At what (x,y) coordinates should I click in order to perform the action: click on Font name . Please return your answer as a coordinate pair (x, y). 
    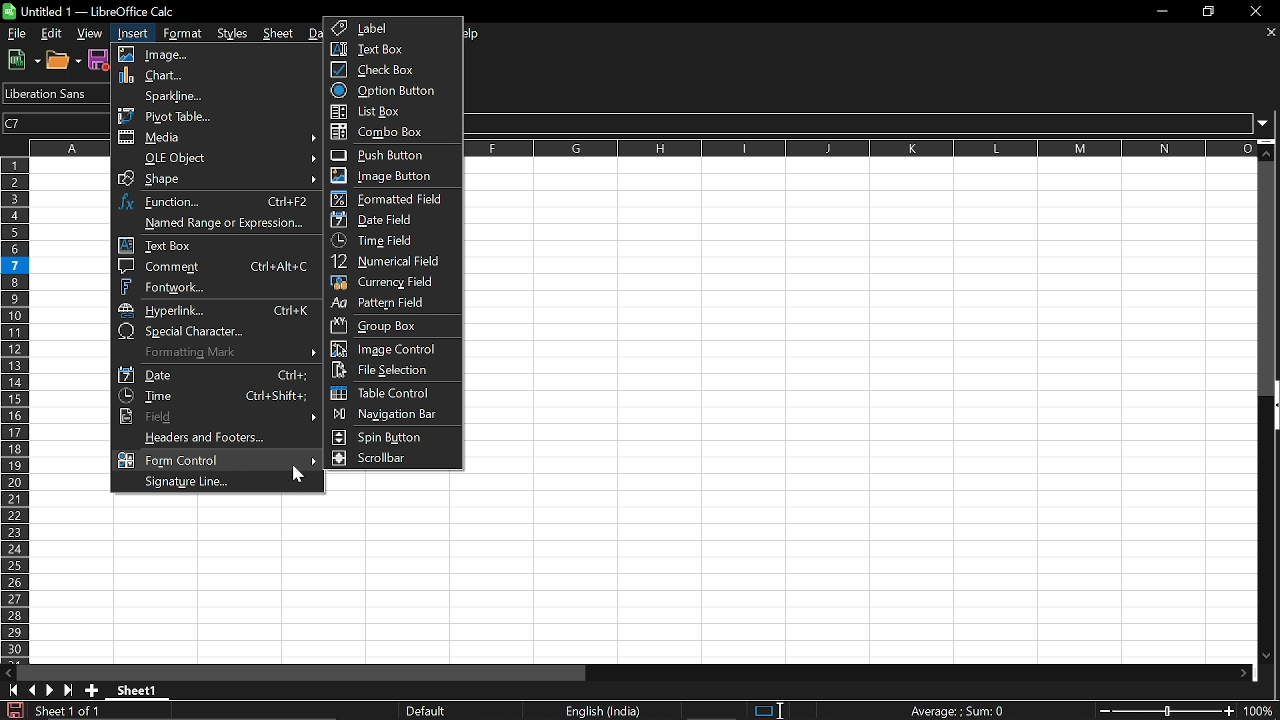
    Looking at the image, I should click on (53, 93).